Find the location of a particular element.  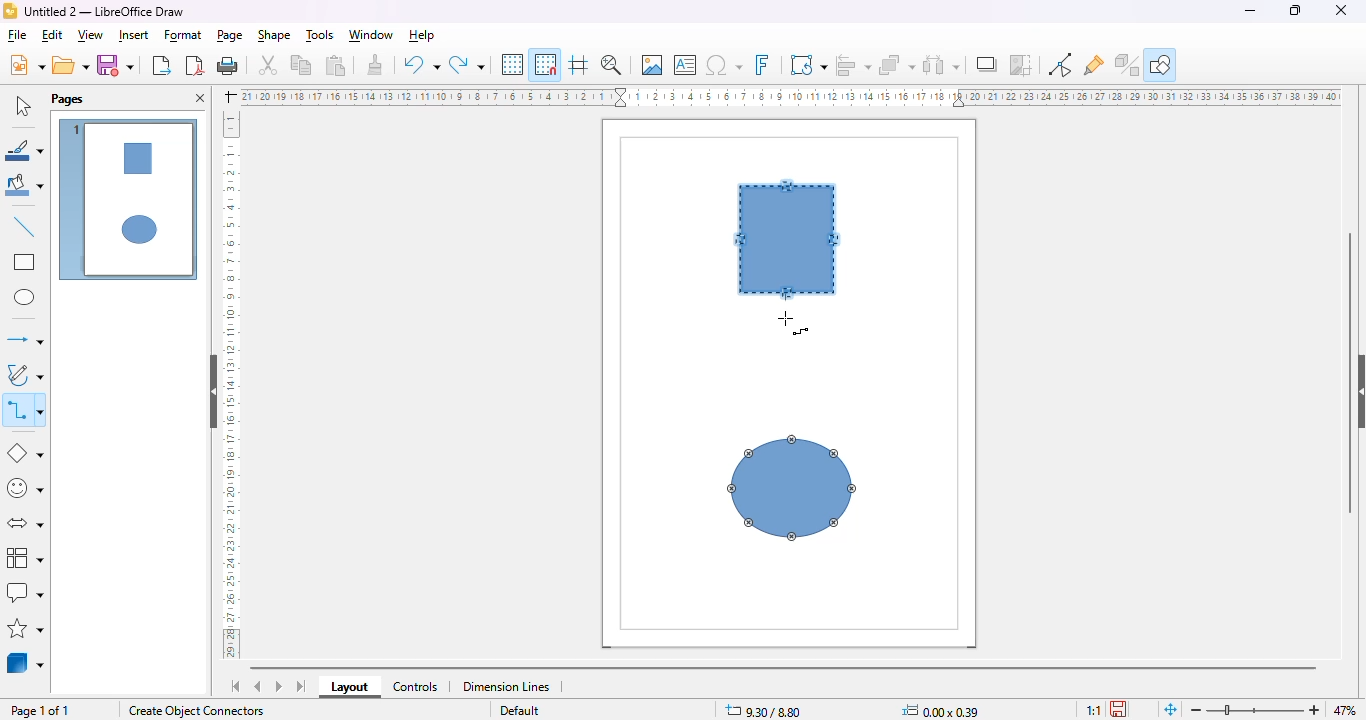

3D objects is located at coordinates (26, 662).